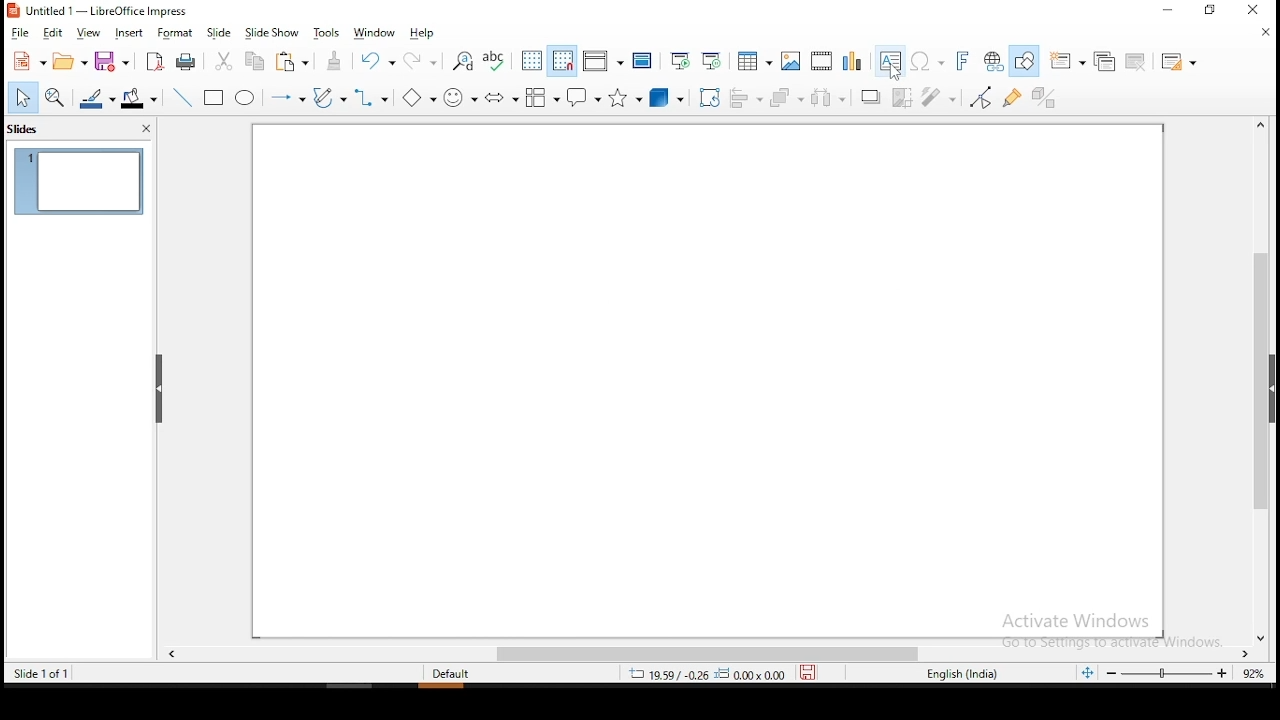 The image size is (1280, 720). I want to click on help, so click(423, 34).